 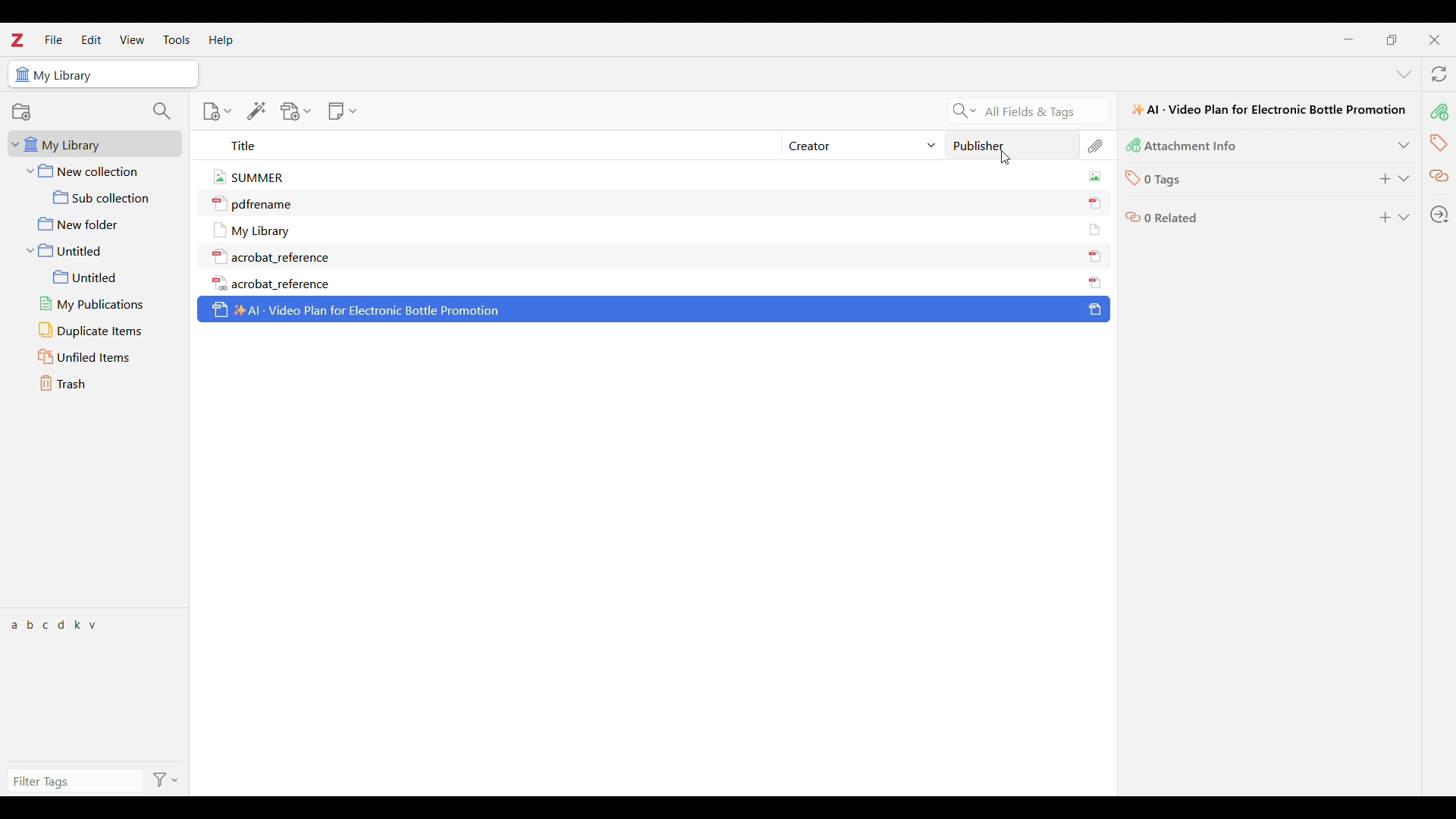 What do you see at coordinates (132, 39) in the screenshot?
I see `View menu` at bounding box center [132, 39].